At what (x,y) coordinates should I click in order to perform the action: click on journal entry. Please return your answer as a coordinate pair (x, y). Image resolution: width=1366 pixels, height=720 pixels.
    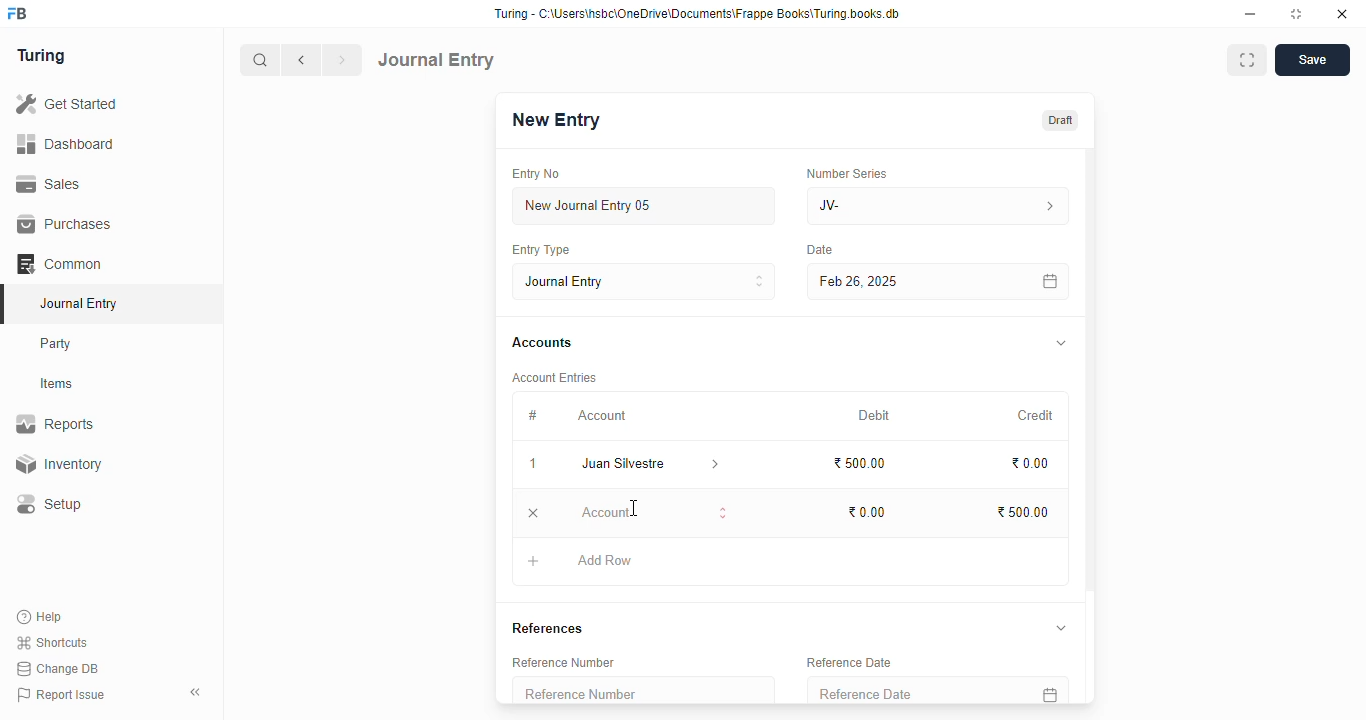
    Looking at the image, I should click on (437, 59).